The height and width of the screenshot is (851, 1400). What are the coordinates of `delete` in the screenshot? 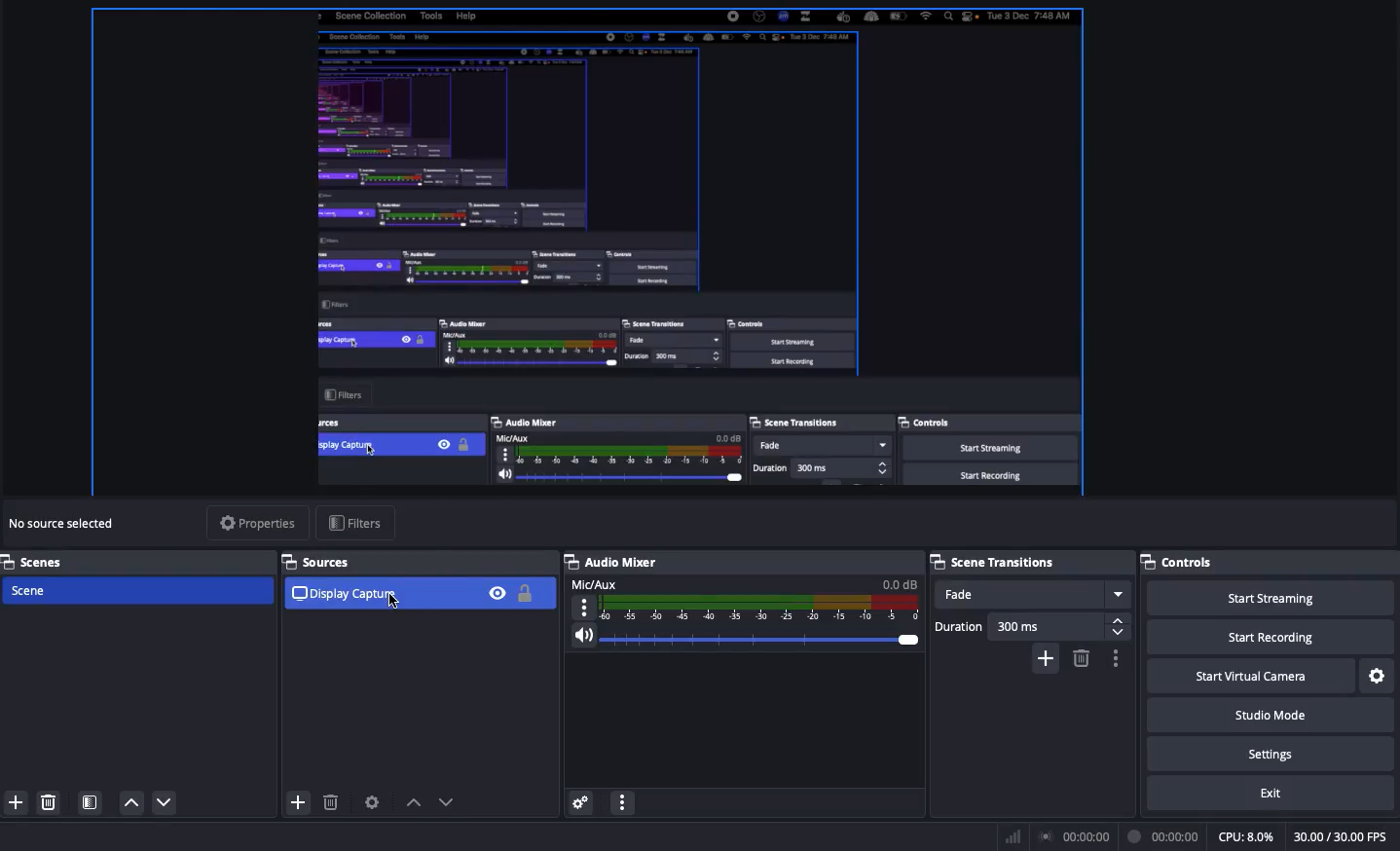 It's located at (1084, 662).